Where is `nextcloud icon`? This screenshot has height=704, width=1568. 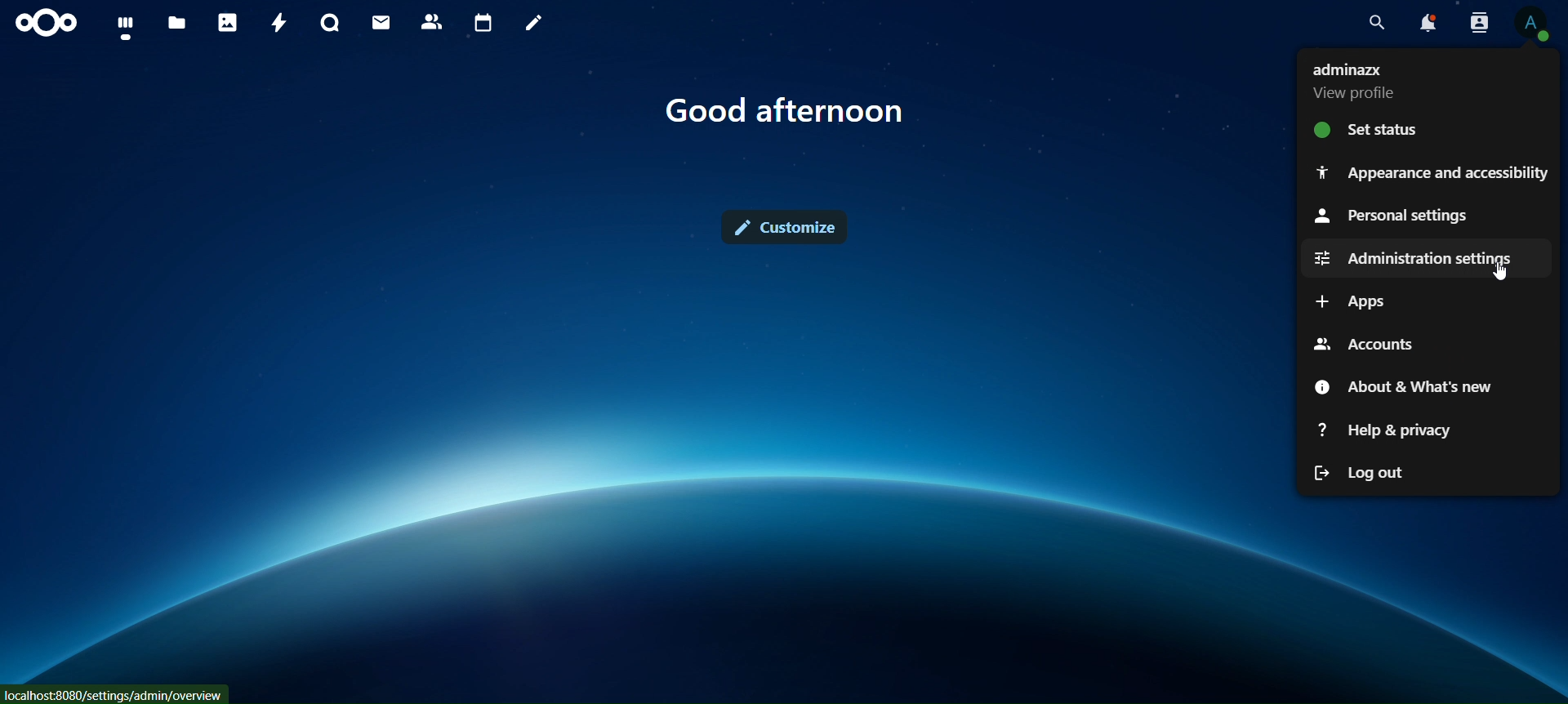
nextcloud icon is located at coordinates (45, 23).